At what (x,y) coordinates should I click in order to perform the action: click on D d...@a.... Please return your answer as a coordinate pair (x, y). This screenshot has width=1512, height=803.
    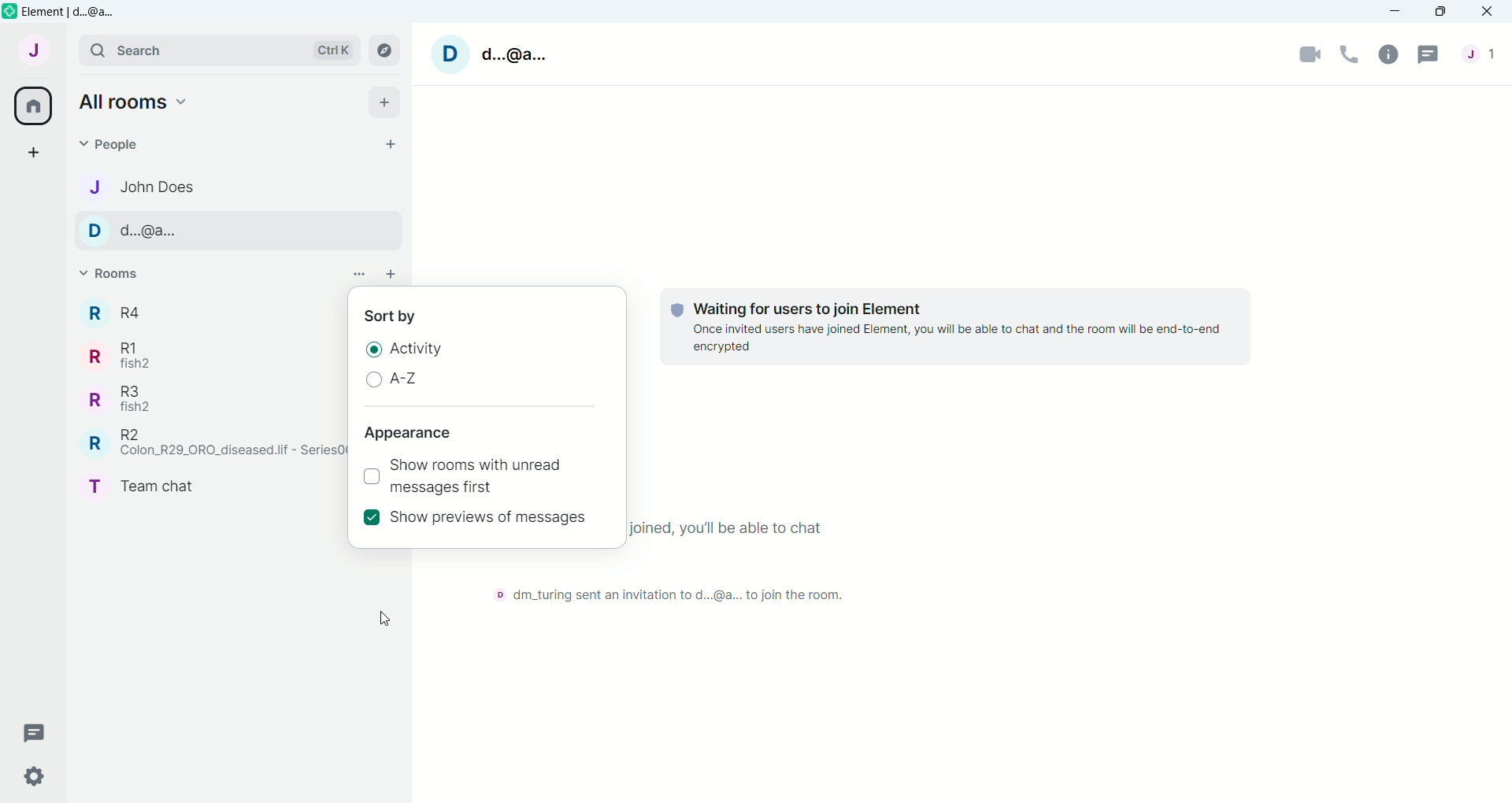
    Looking at the image, I should click on (153, 231).